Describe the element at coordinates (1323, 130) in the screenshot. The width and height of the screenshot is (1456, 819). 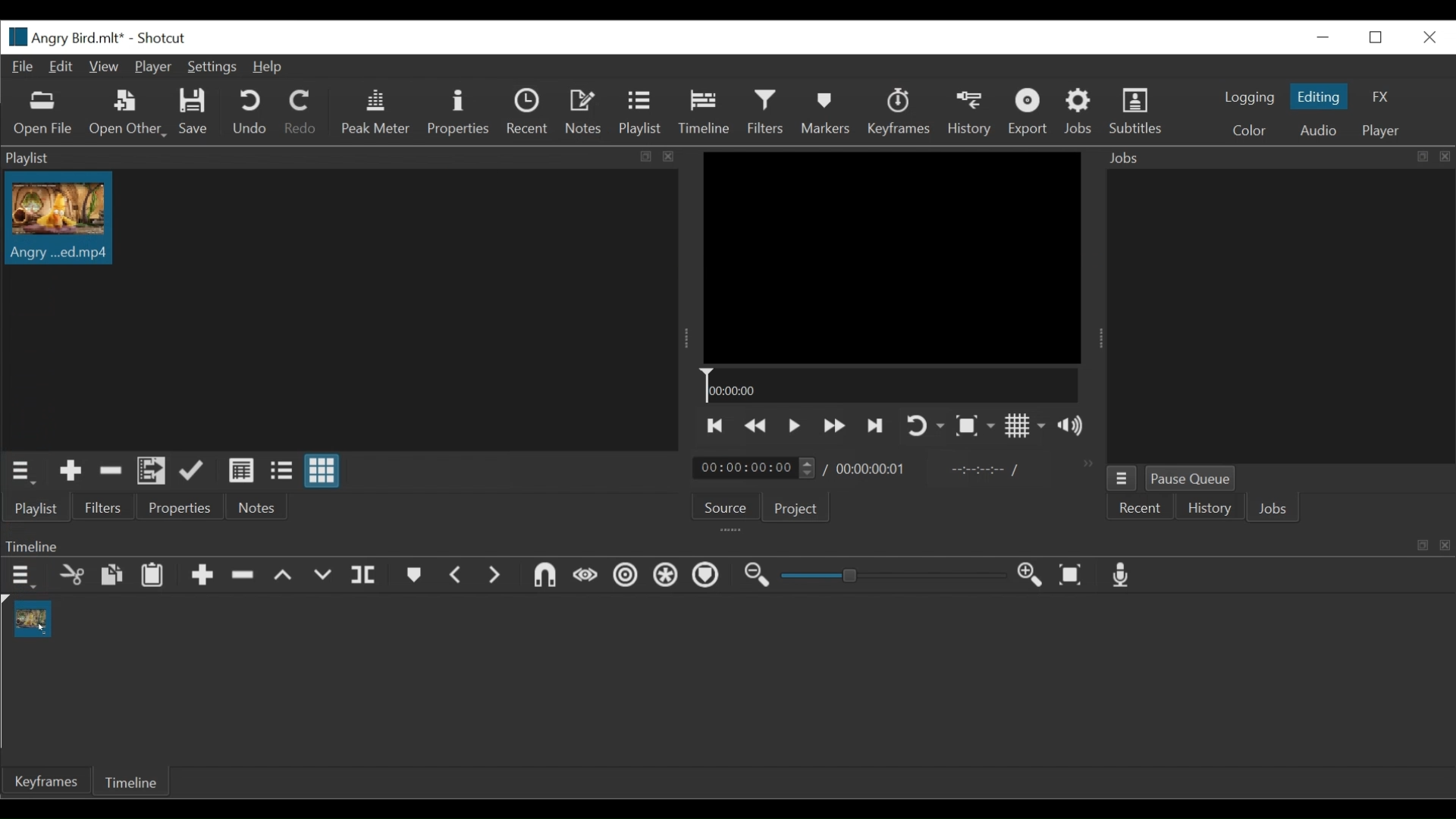
I see `Audio` at that location.